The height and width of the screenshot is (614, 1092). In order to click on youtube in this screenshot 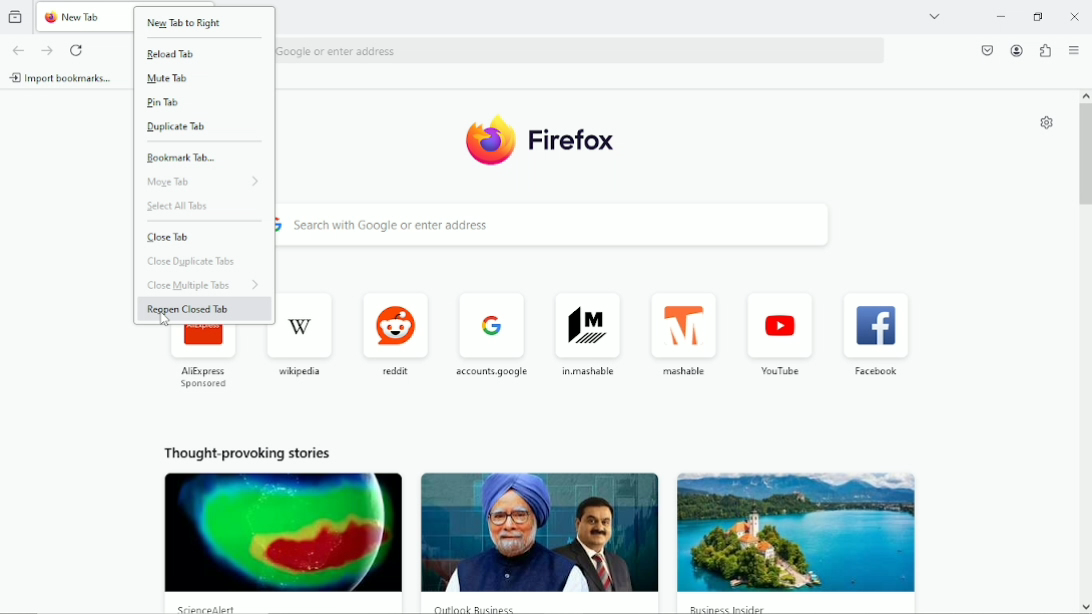, I will do `click(779, 333)`.